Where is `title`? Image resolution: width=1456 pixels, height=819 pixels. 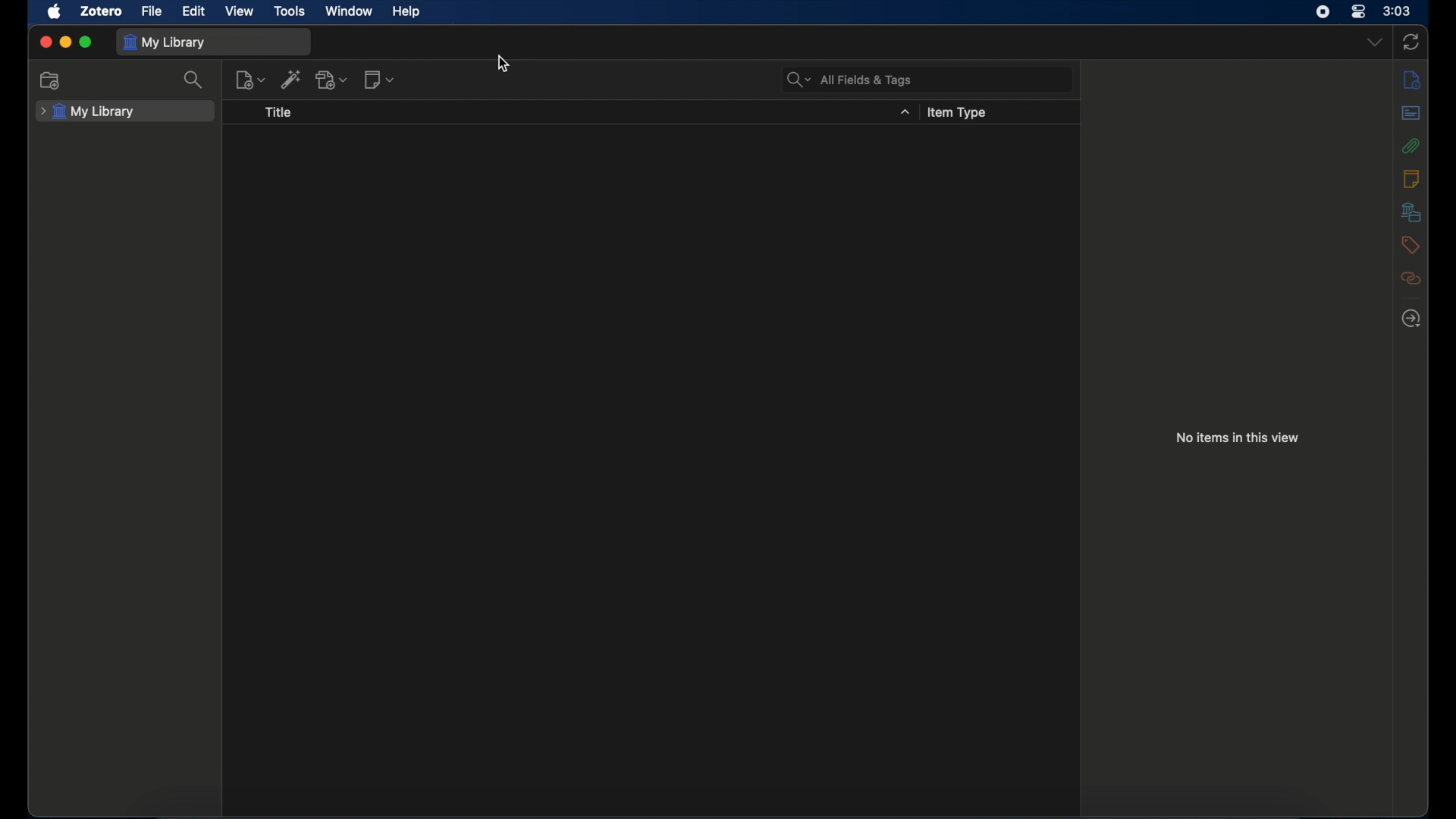
title is located at coordinates (281, 113).